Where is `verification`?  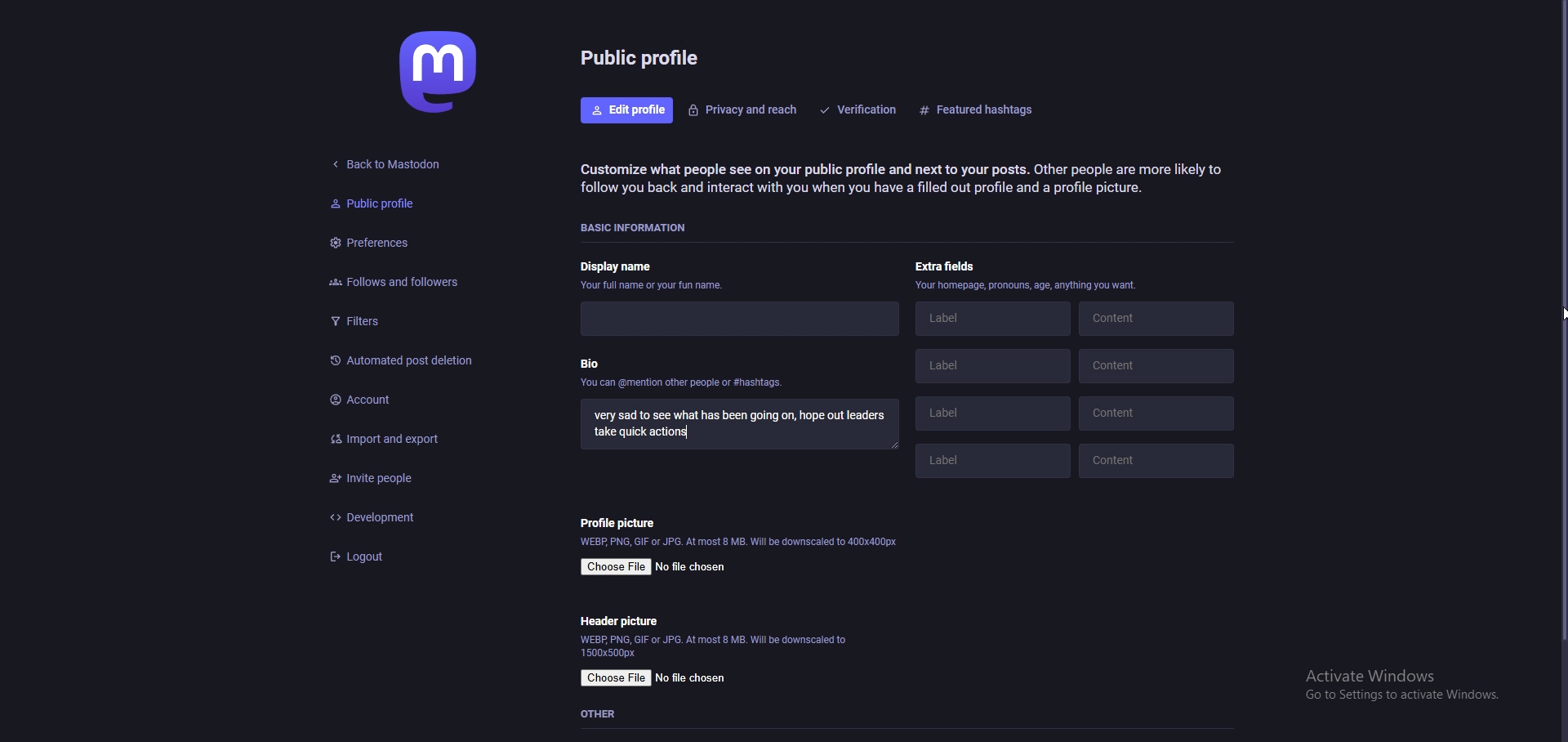
verification is located at coordinates (861, 109).